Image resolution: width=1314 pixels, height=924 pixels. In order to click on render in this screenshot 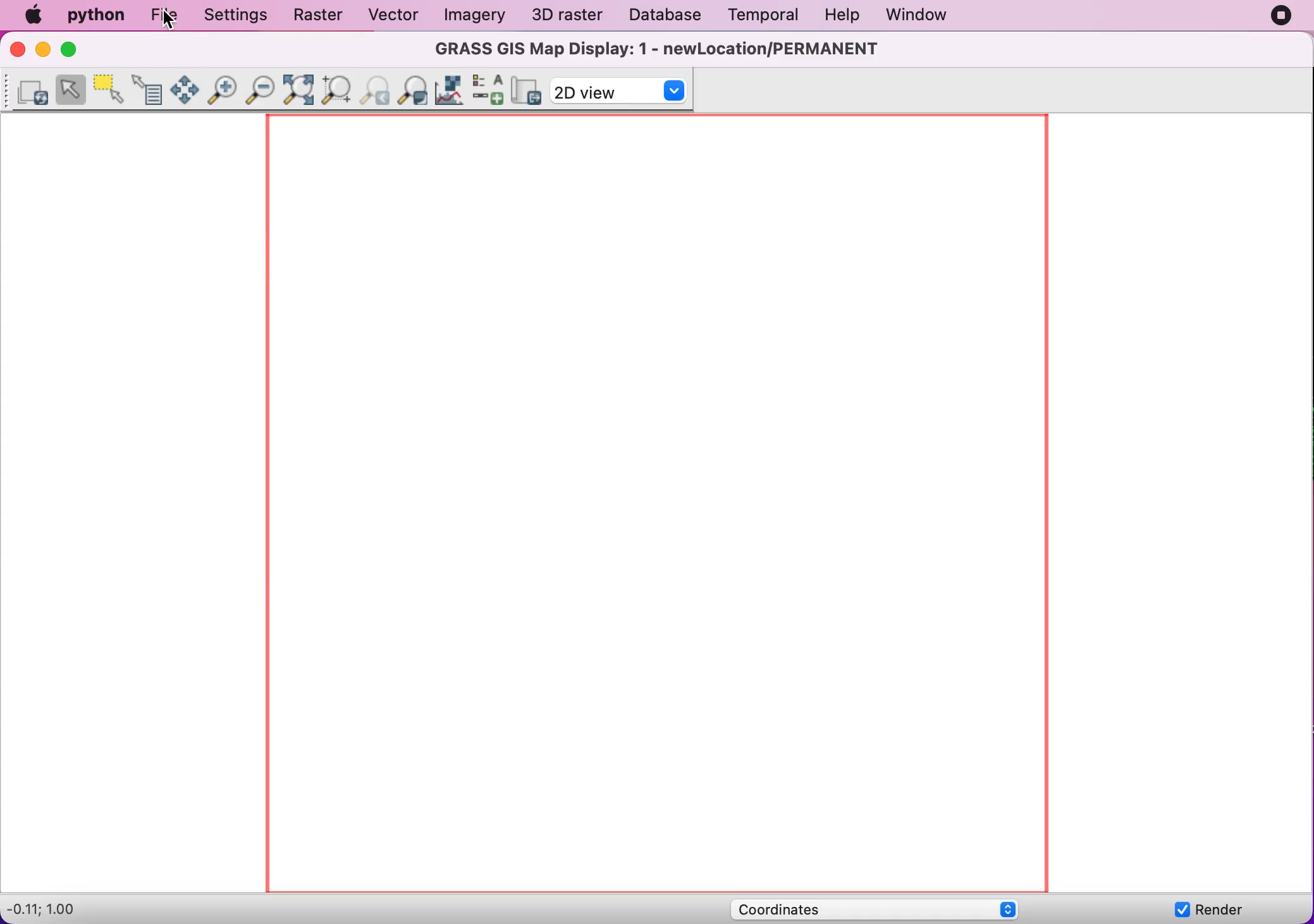, I will do `click(1201, 909)`.